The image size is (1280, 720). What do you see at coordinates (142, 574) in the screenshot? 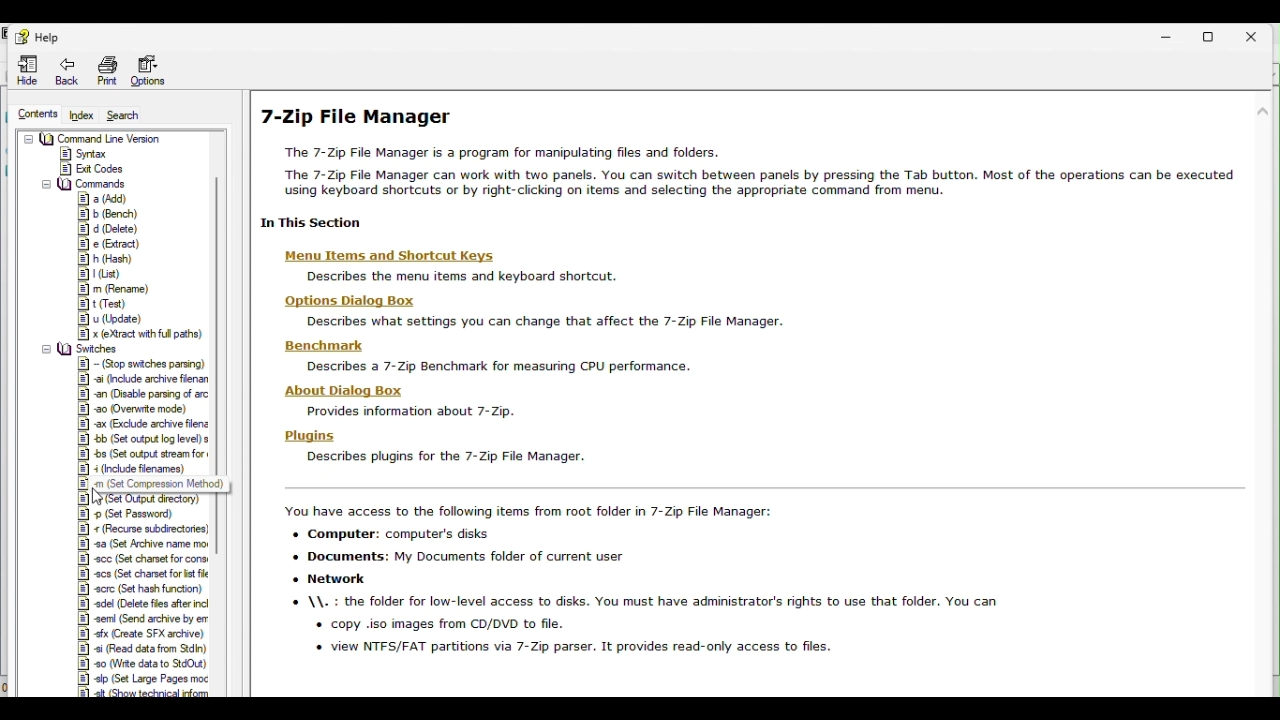
I see `scs` at bounding box center [142, 574].